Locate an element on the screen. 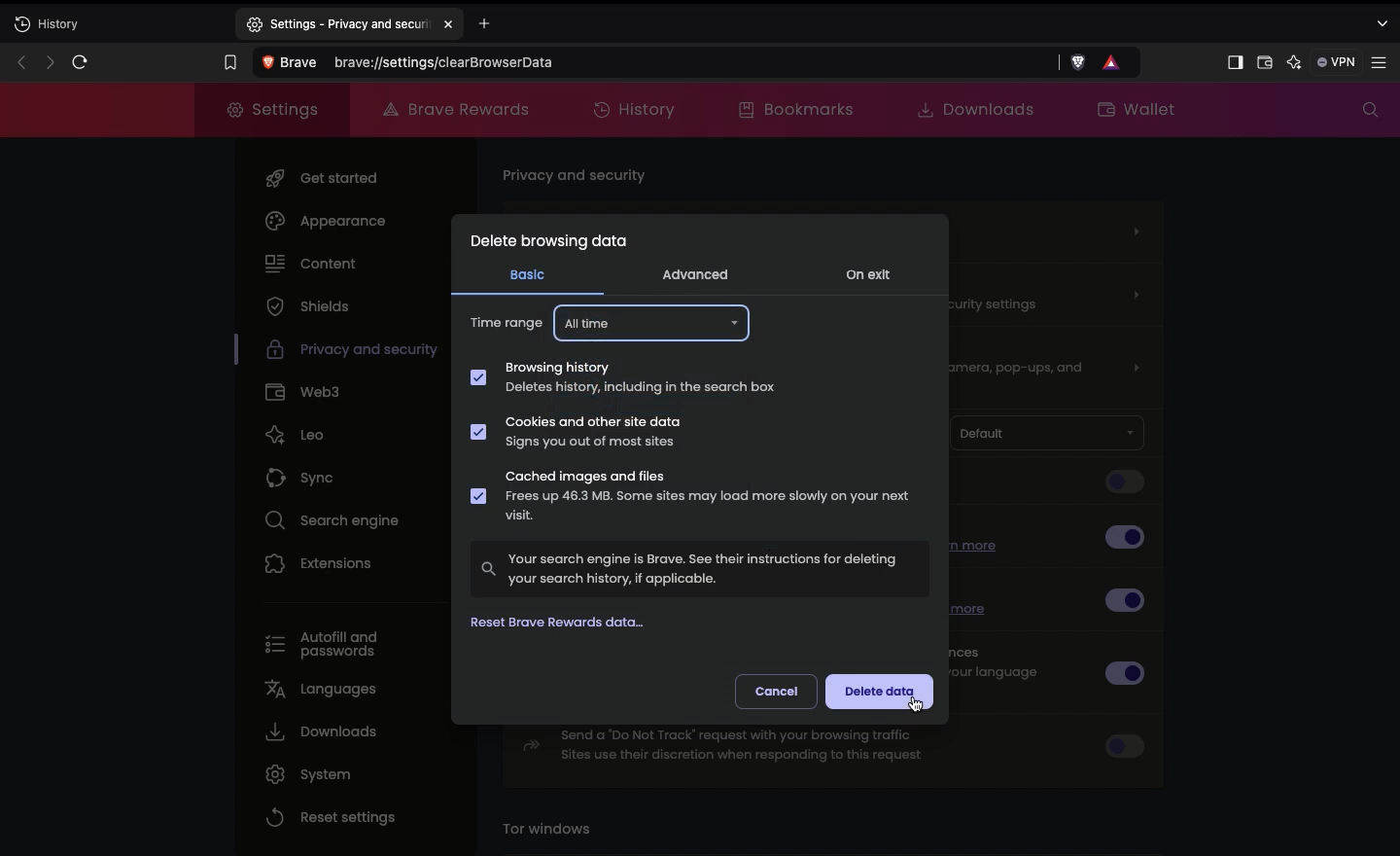  Downloads is located at coordinates (320, 734).